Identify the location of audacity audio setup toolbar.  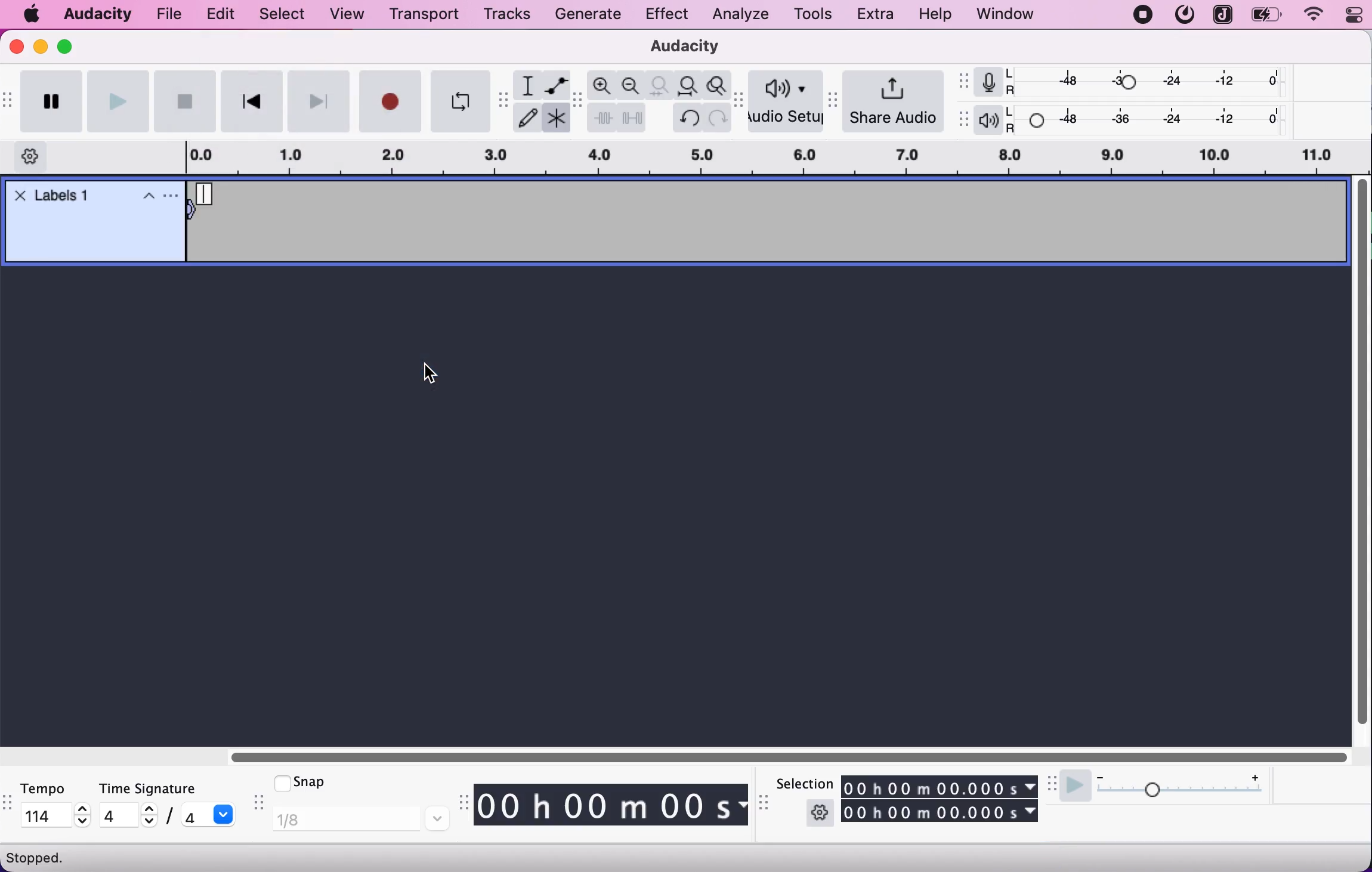
(741, 98).